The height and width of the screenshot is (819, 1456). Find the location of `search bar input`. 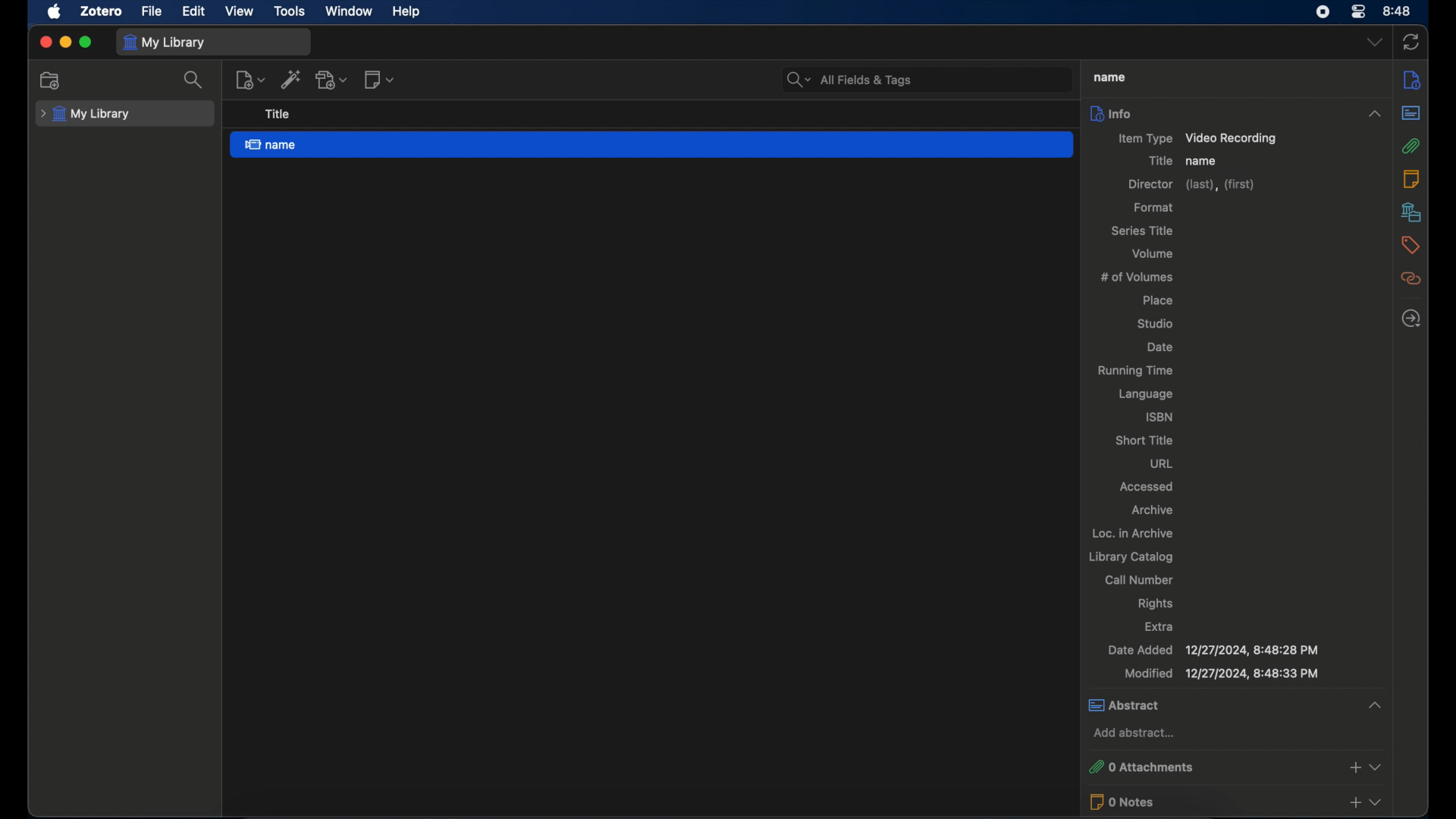

search bar input is located at coordinates (943, 77).